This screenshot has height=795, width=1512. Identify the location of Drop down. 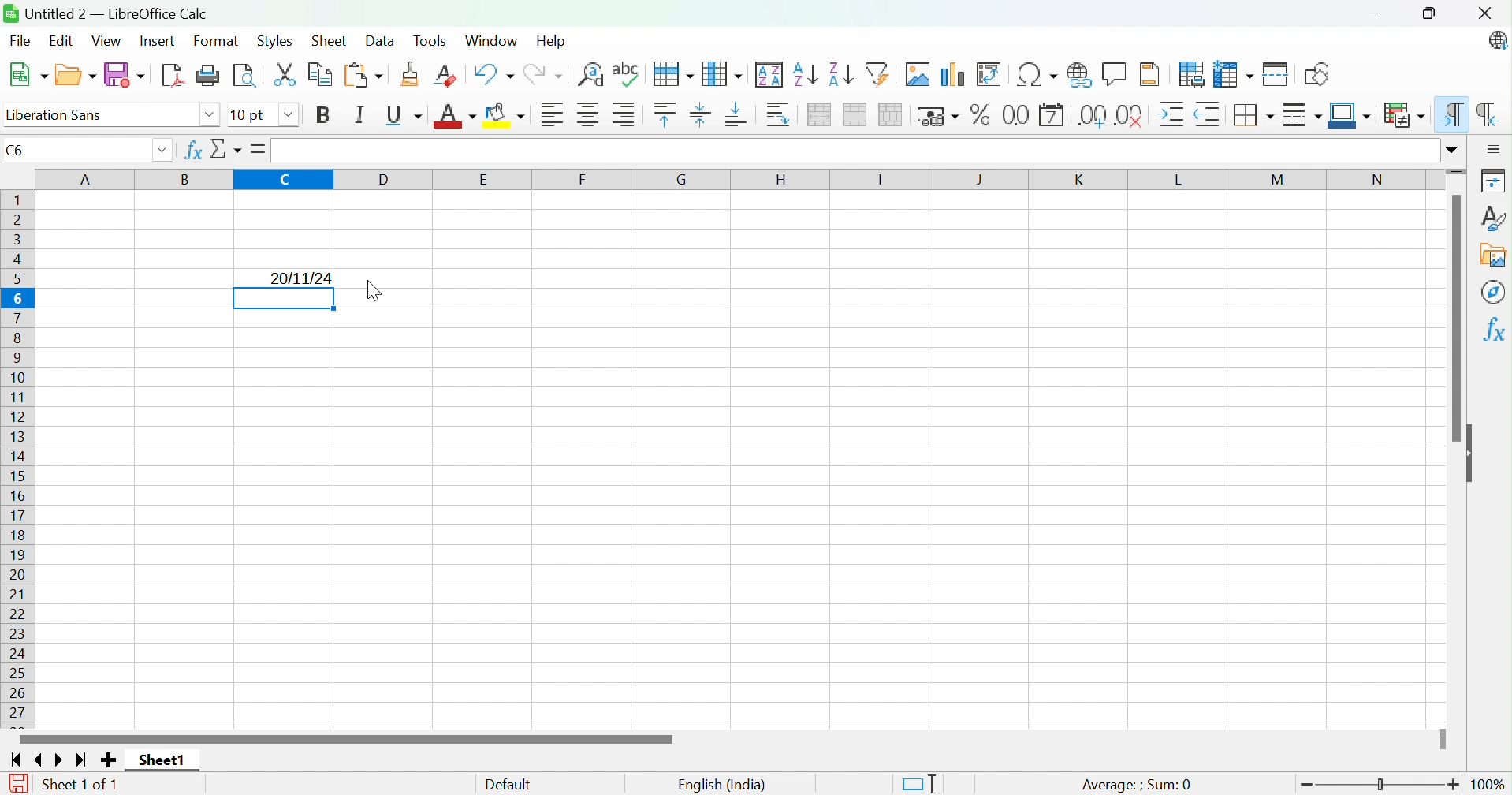
(161, 151).